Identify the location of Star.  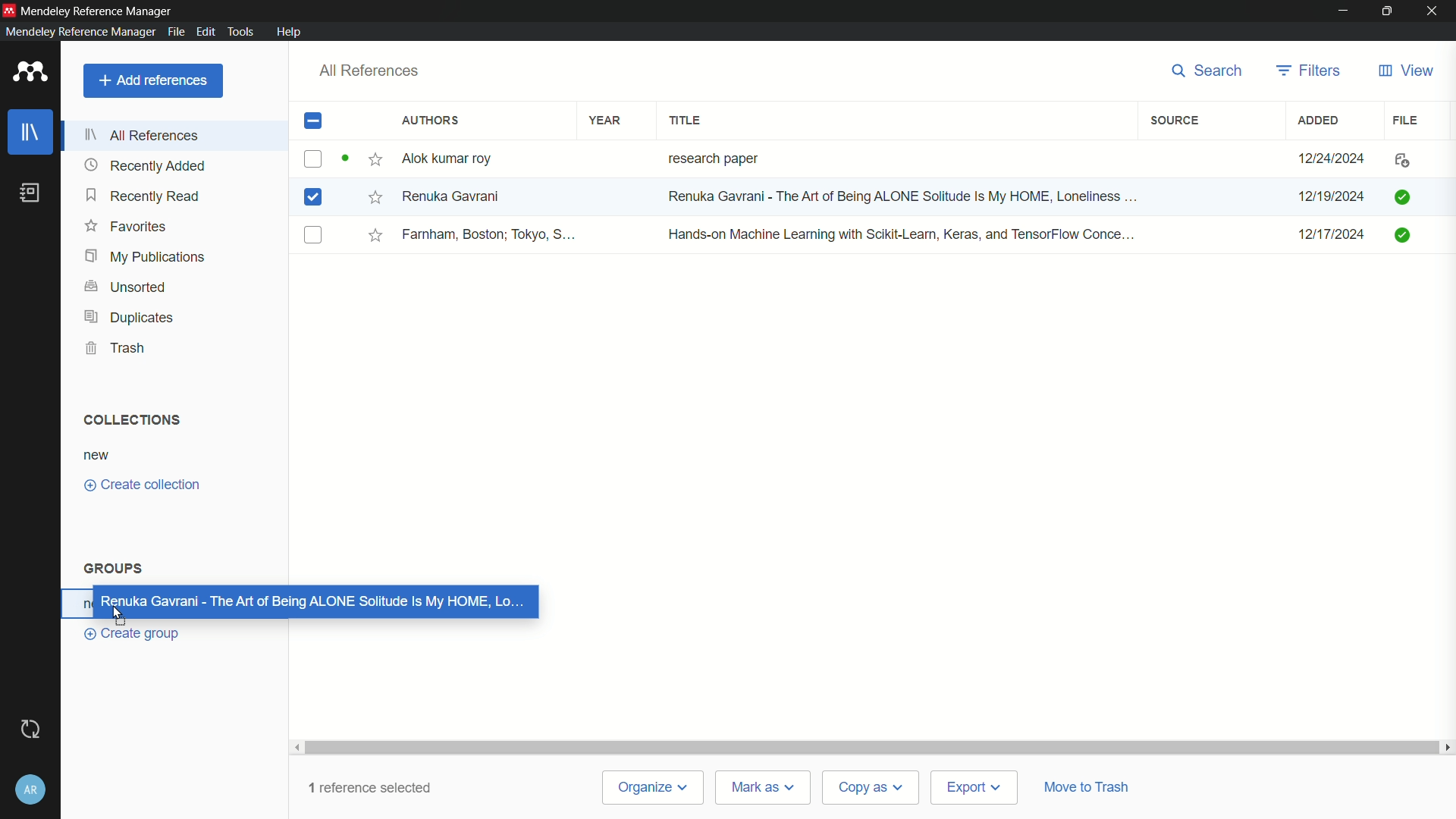
(374, 196).